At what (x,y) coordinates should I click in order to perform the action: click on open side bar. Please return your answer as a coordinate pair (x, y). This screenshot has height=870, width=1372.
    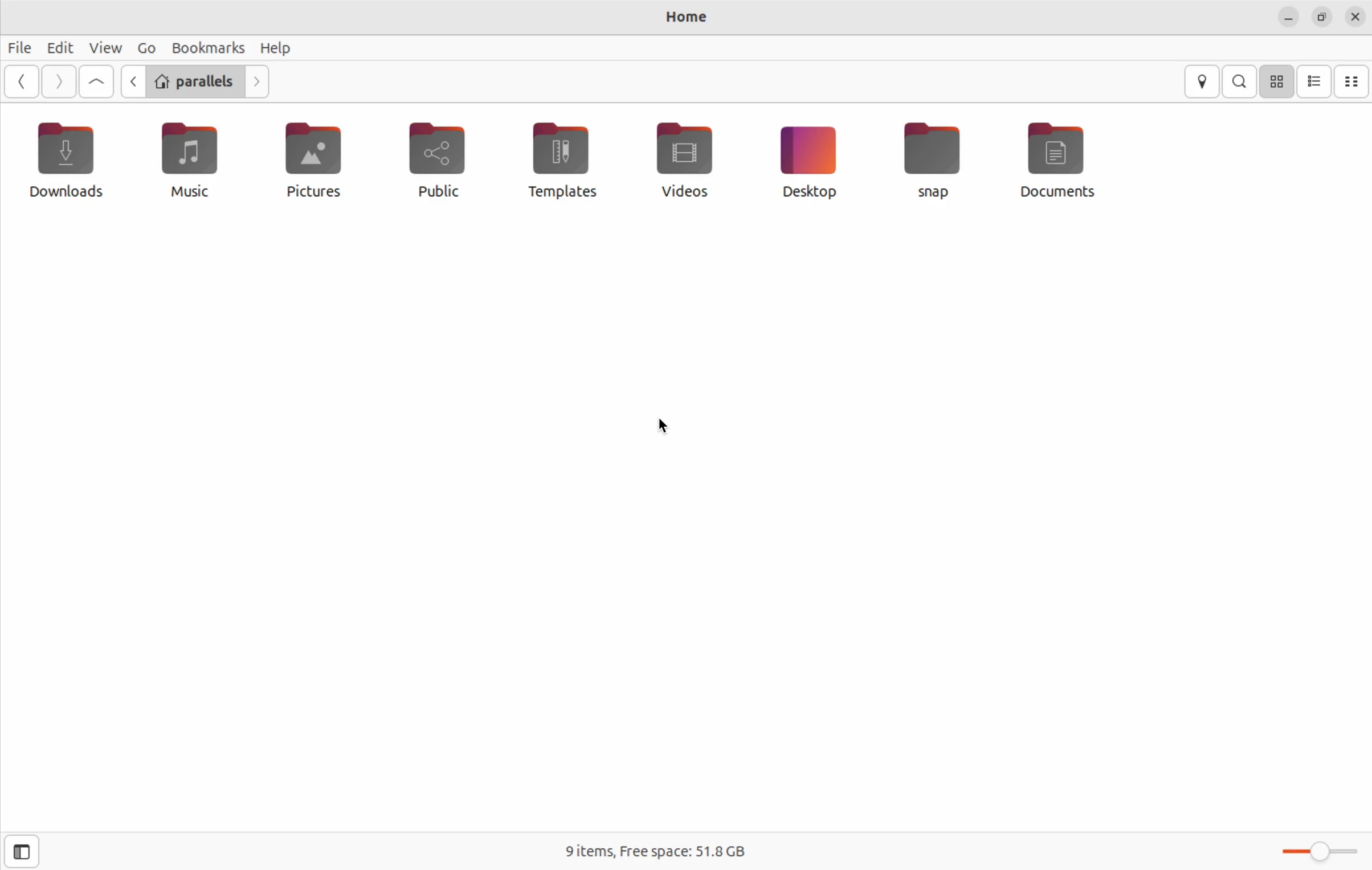
    Looking at the image, I should click on (23, 852).